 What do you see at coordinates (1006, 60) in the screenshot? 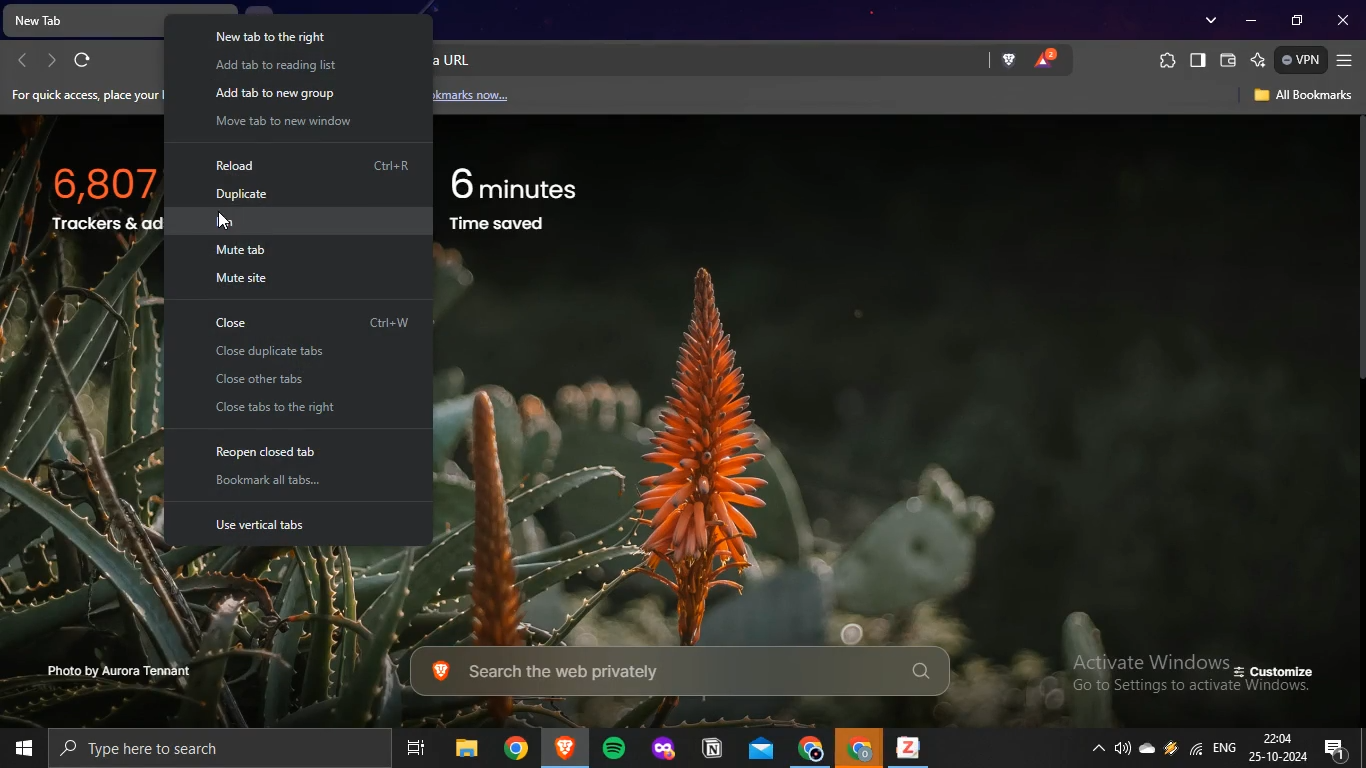
I see `brave shield` at bounding box center [1006, 60].